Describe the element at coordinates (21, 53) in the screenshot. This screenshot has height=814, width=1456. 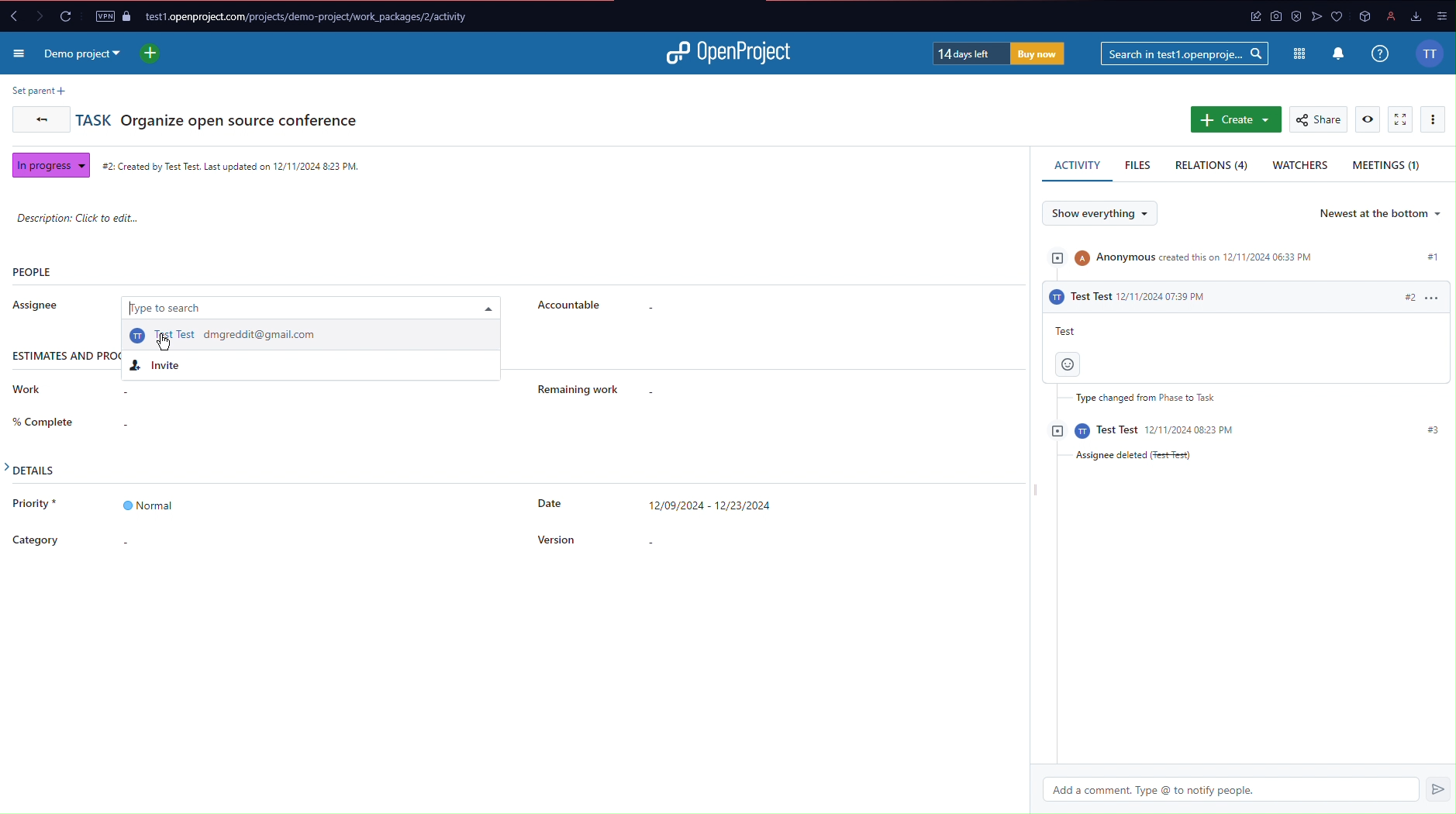
I see `More` at that location.